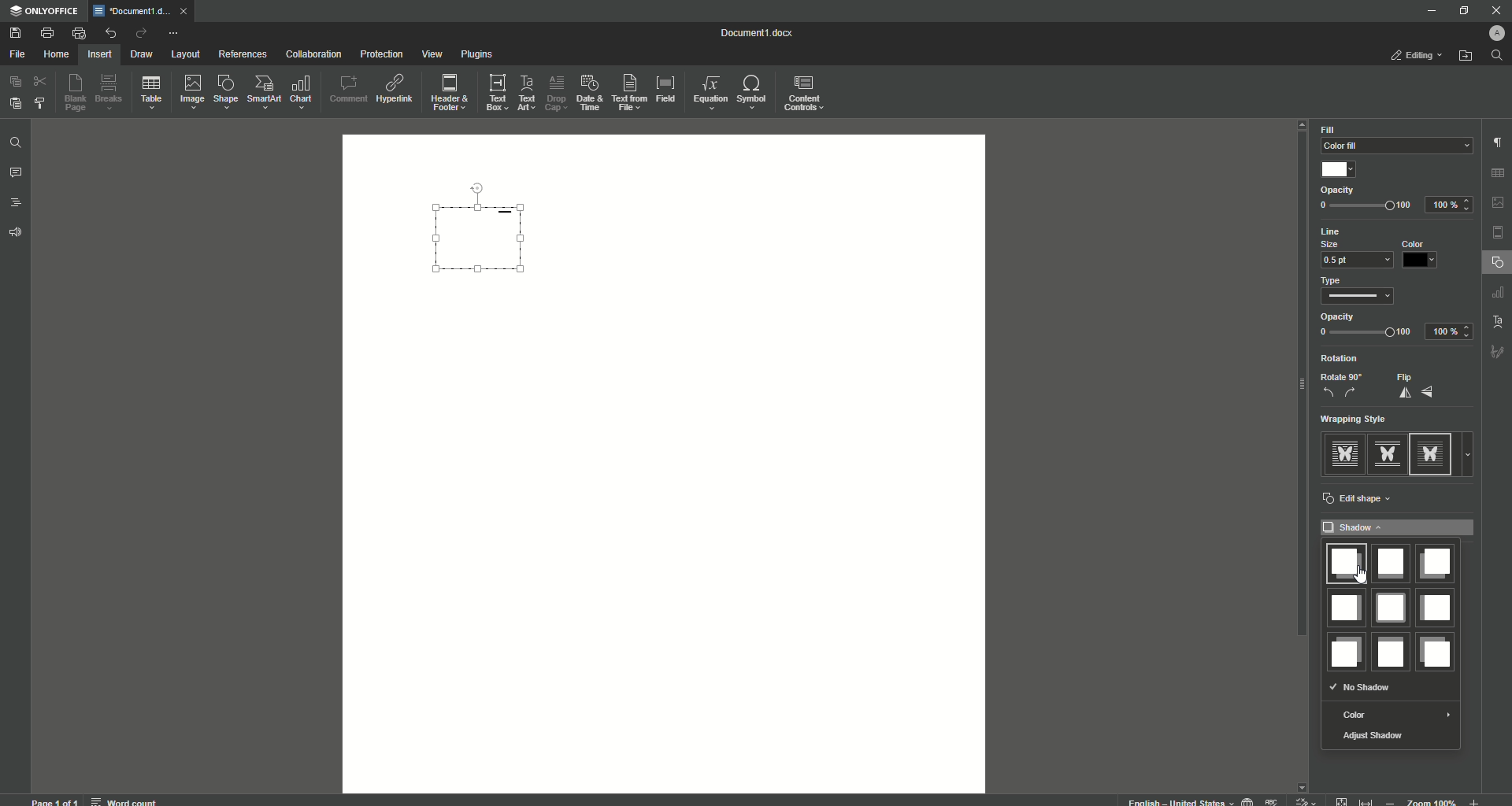  Describe the element at coordinates (14, 102) in the screenshot. I see `Paste` at that location.